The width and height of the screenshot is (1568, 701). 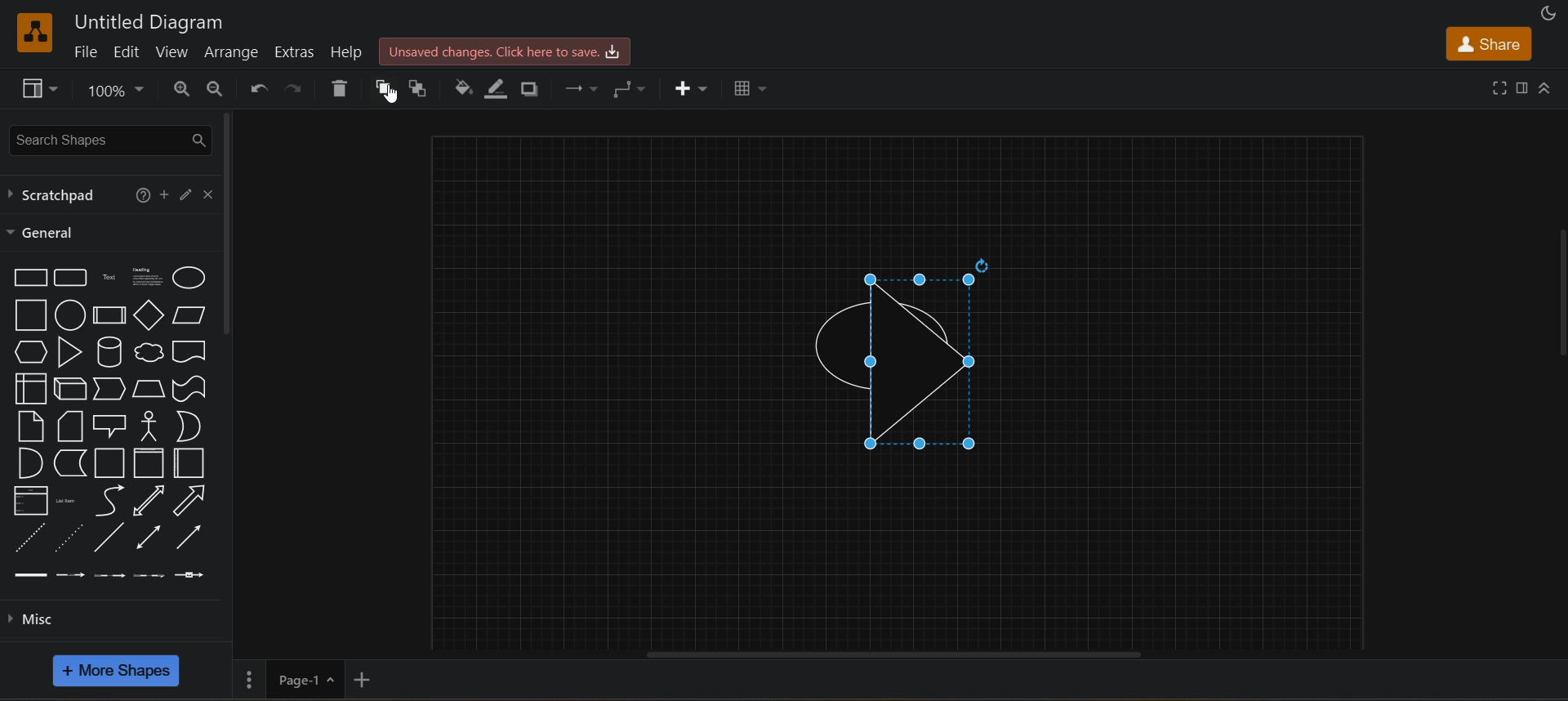 I want to click on internal storage, so click(x=33, y=388).